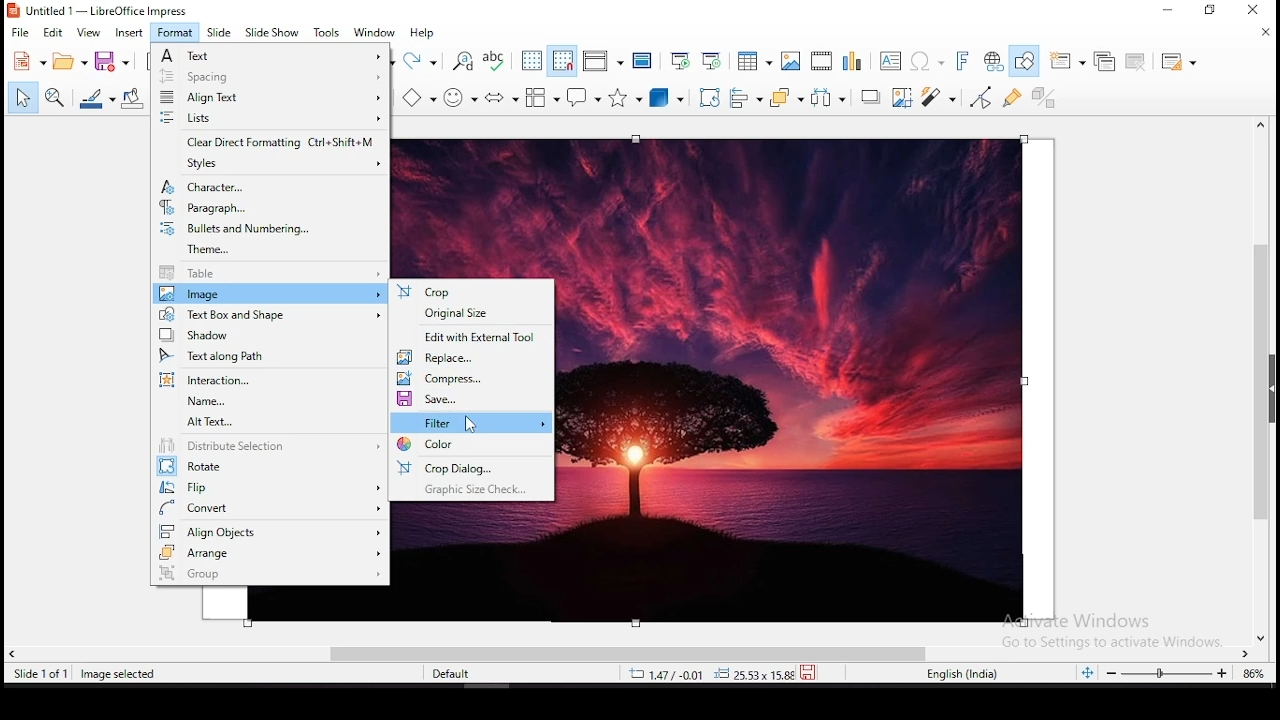 This screenshot has width=1280, height=720. Describe the element at coordinates (1253, 11) in the screenshot. I see `close window` at that location.